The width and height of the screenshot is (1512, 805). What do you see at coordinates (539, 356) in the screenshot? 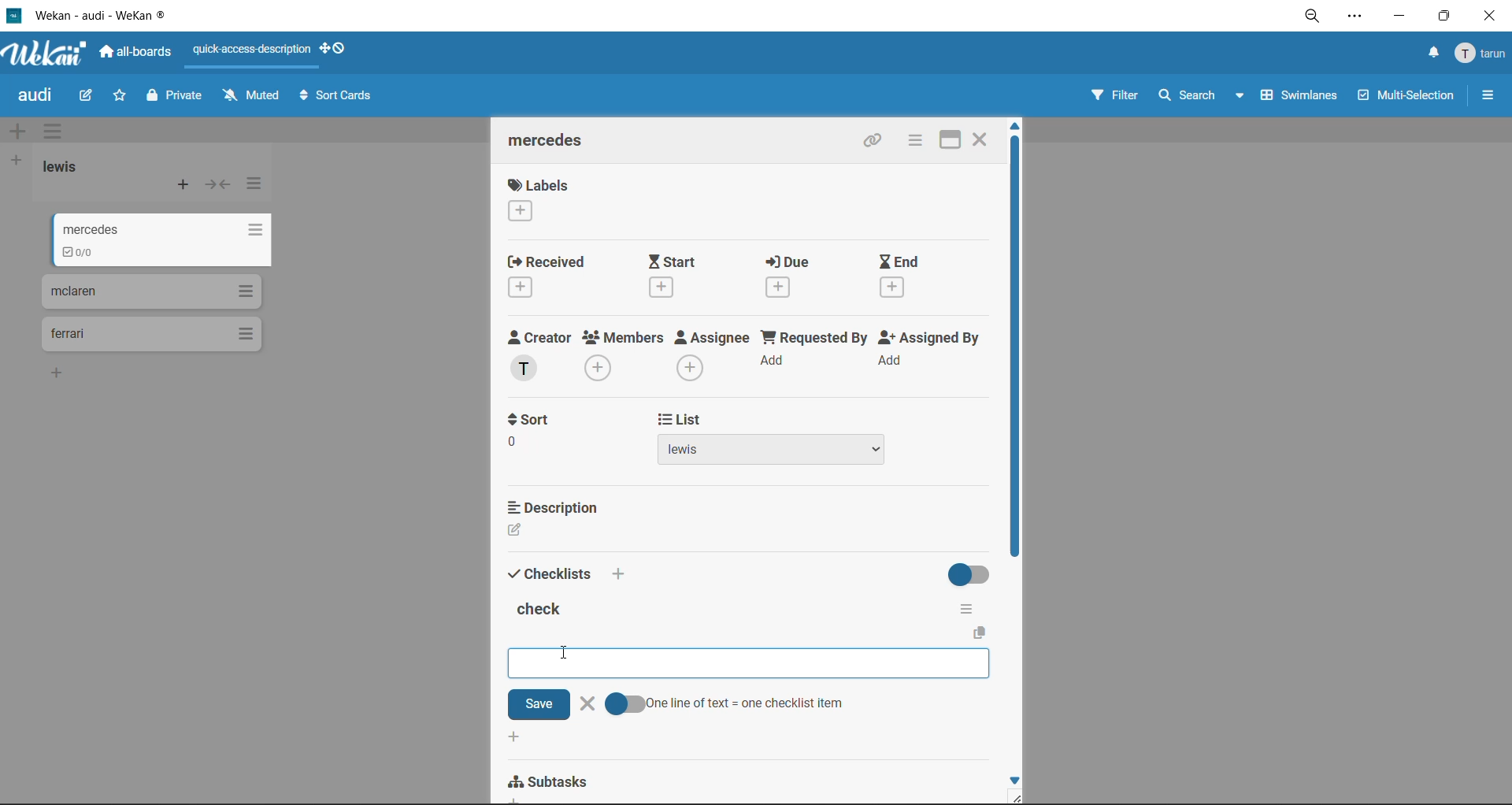
I see `creator` at bounding box center [539, 356].